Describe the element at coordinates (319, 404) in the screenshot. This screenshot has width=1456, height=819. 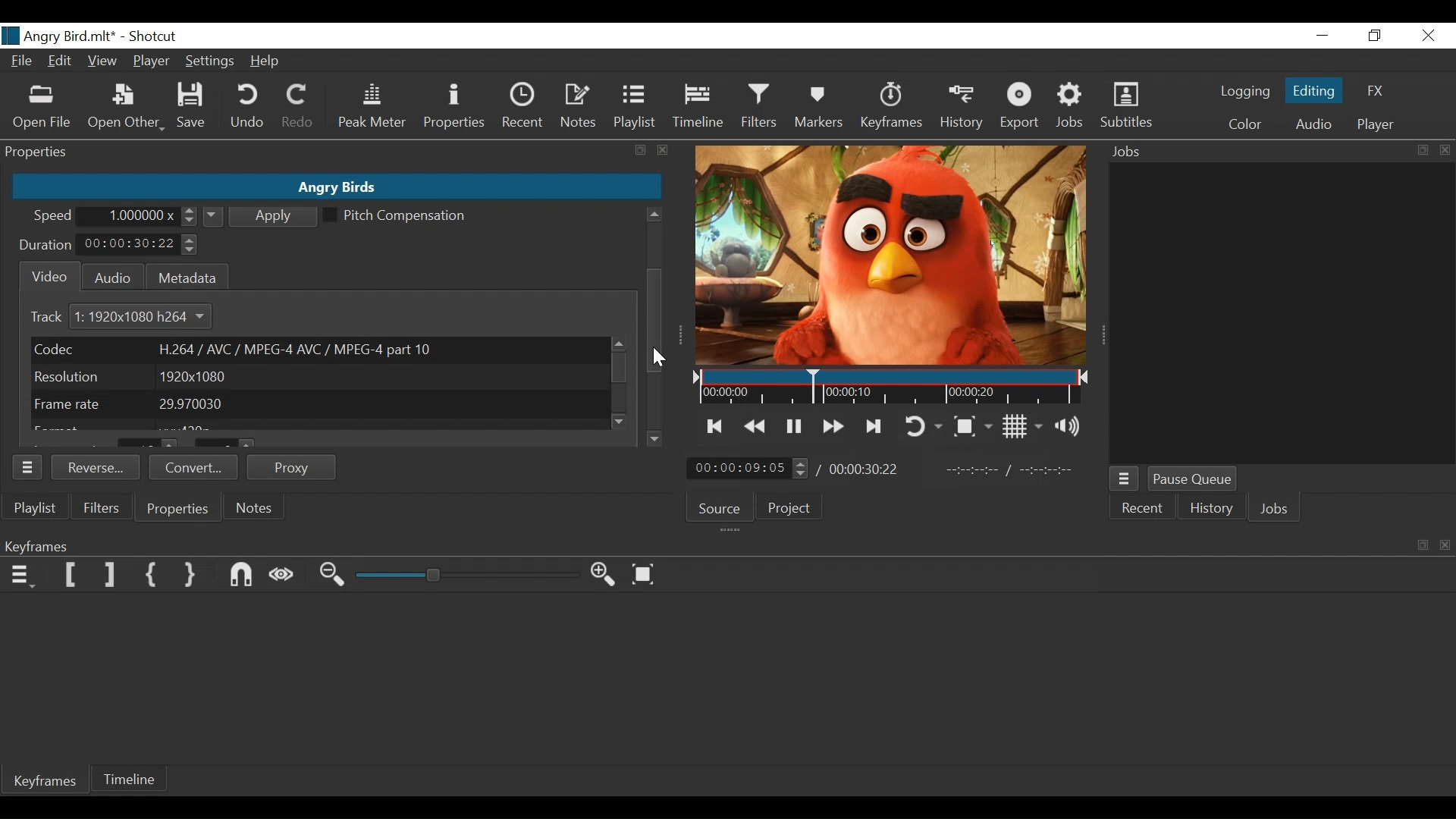
I see `Frame rate` at that location.